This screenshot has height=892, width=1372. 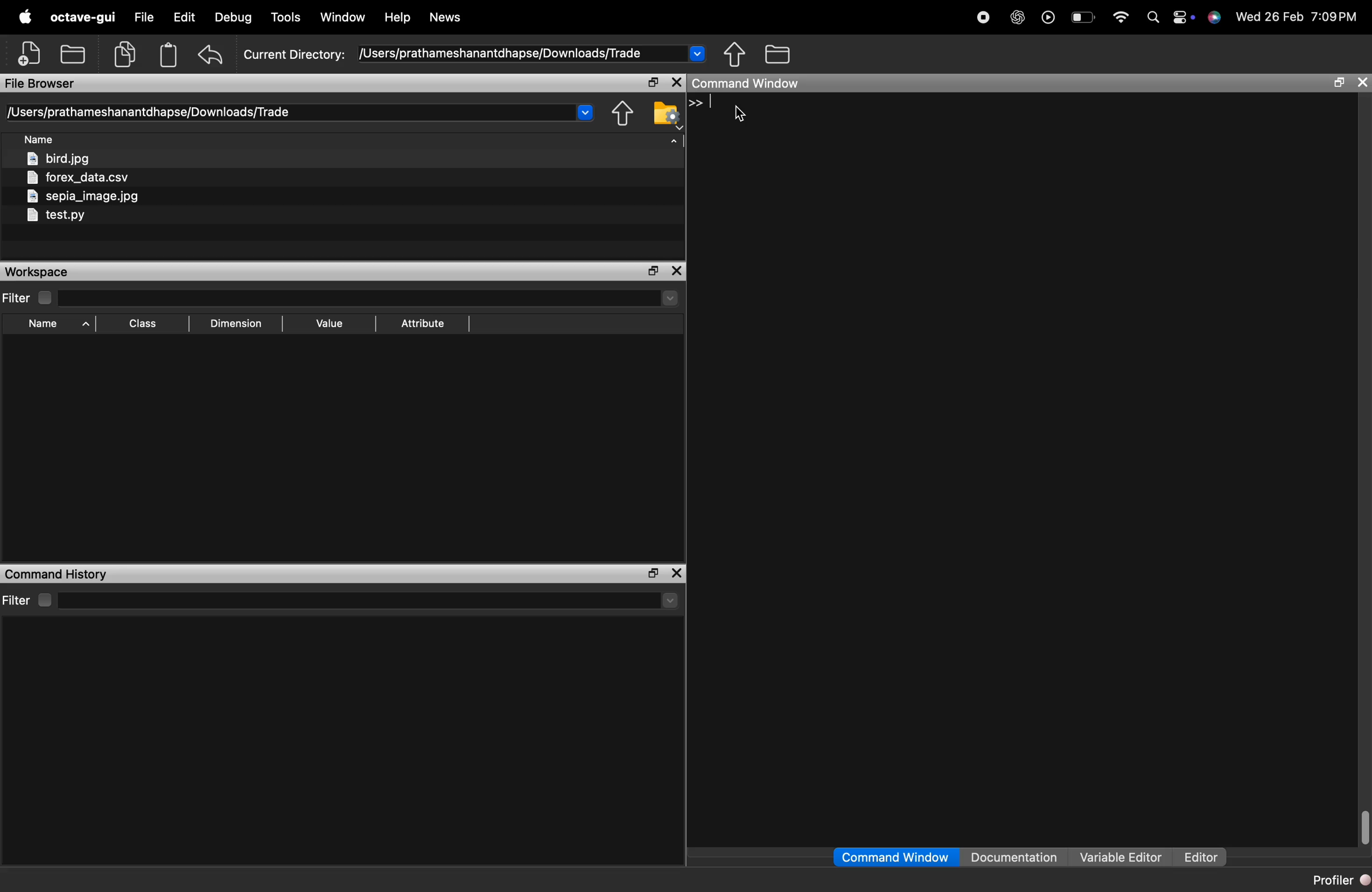 I want to click on filter, so click(x=31, y=599).